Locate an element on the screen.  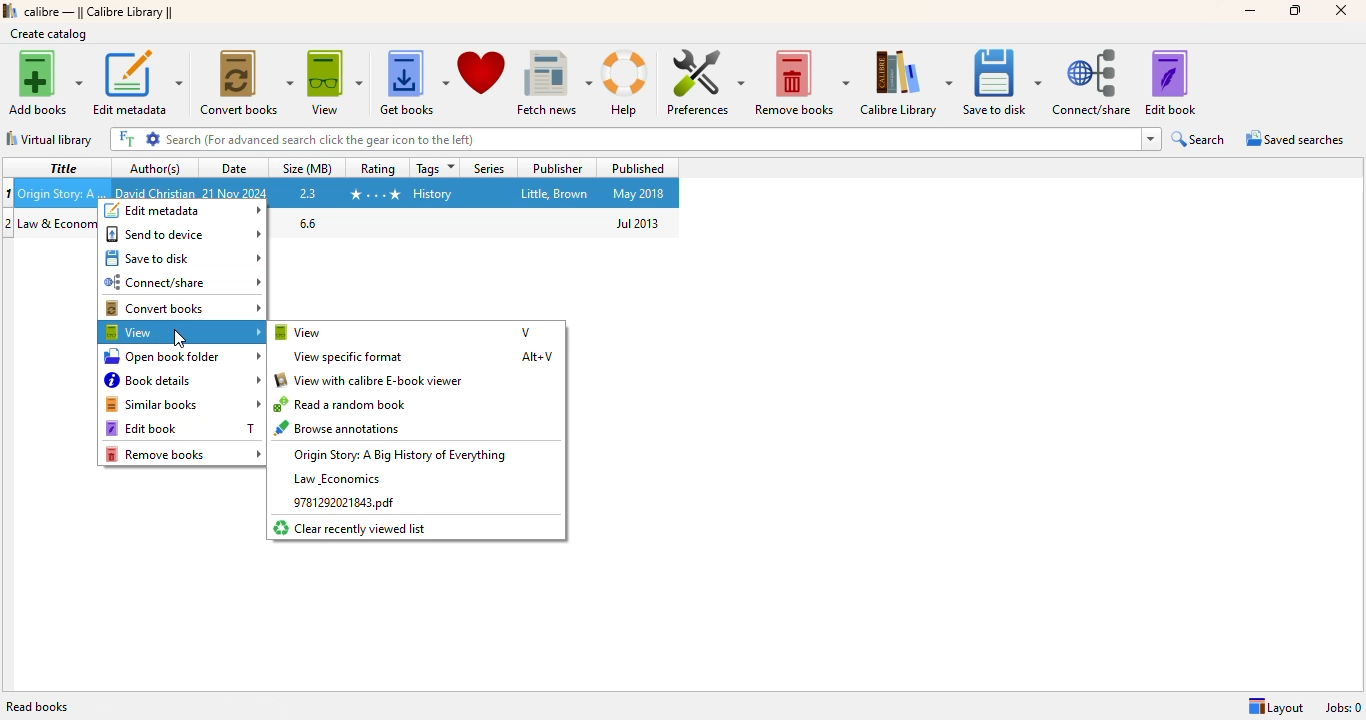
size in mbs is located at coordinates (307, 222).